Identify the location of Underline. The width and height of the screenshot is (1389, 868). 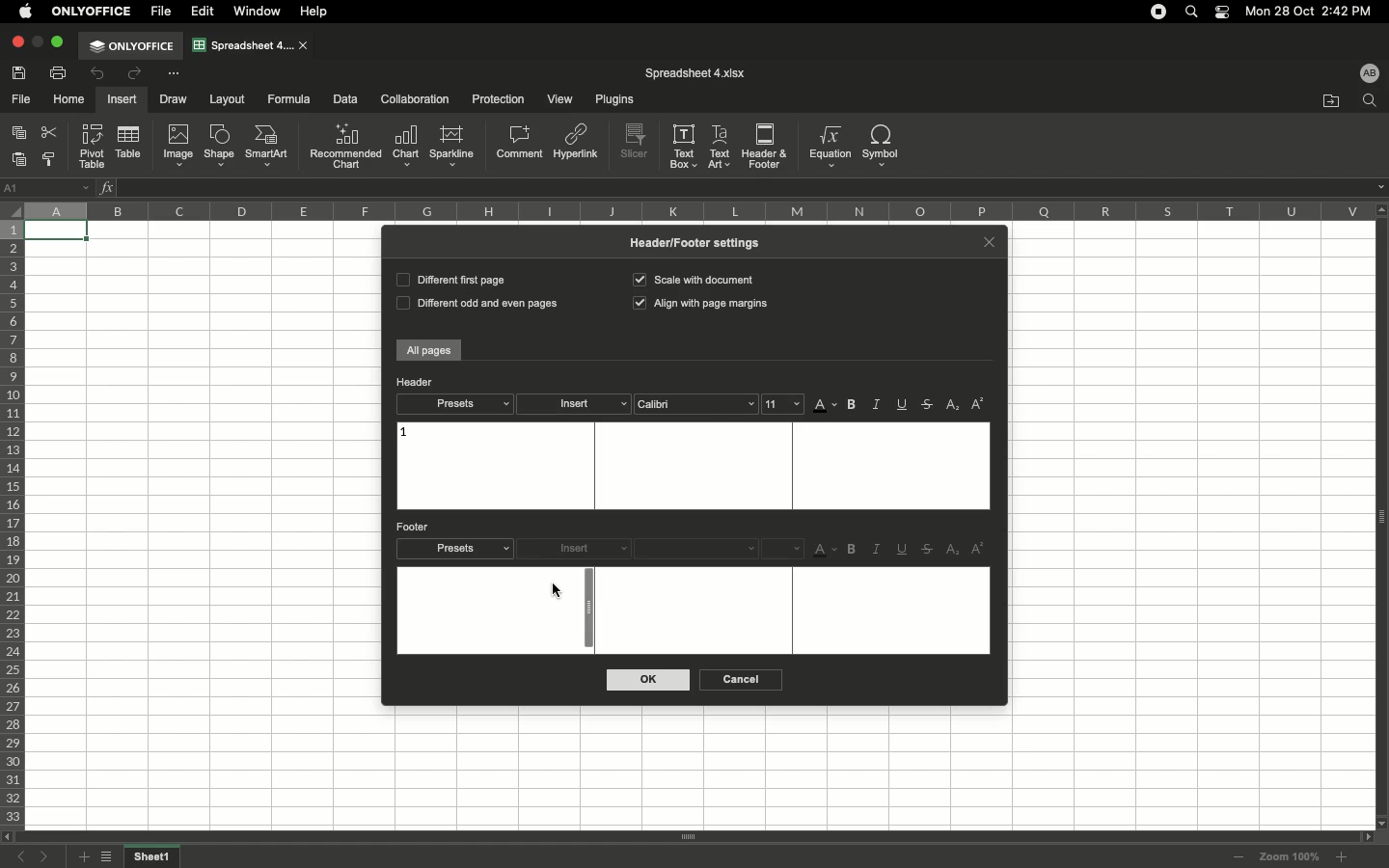
(904, 404).